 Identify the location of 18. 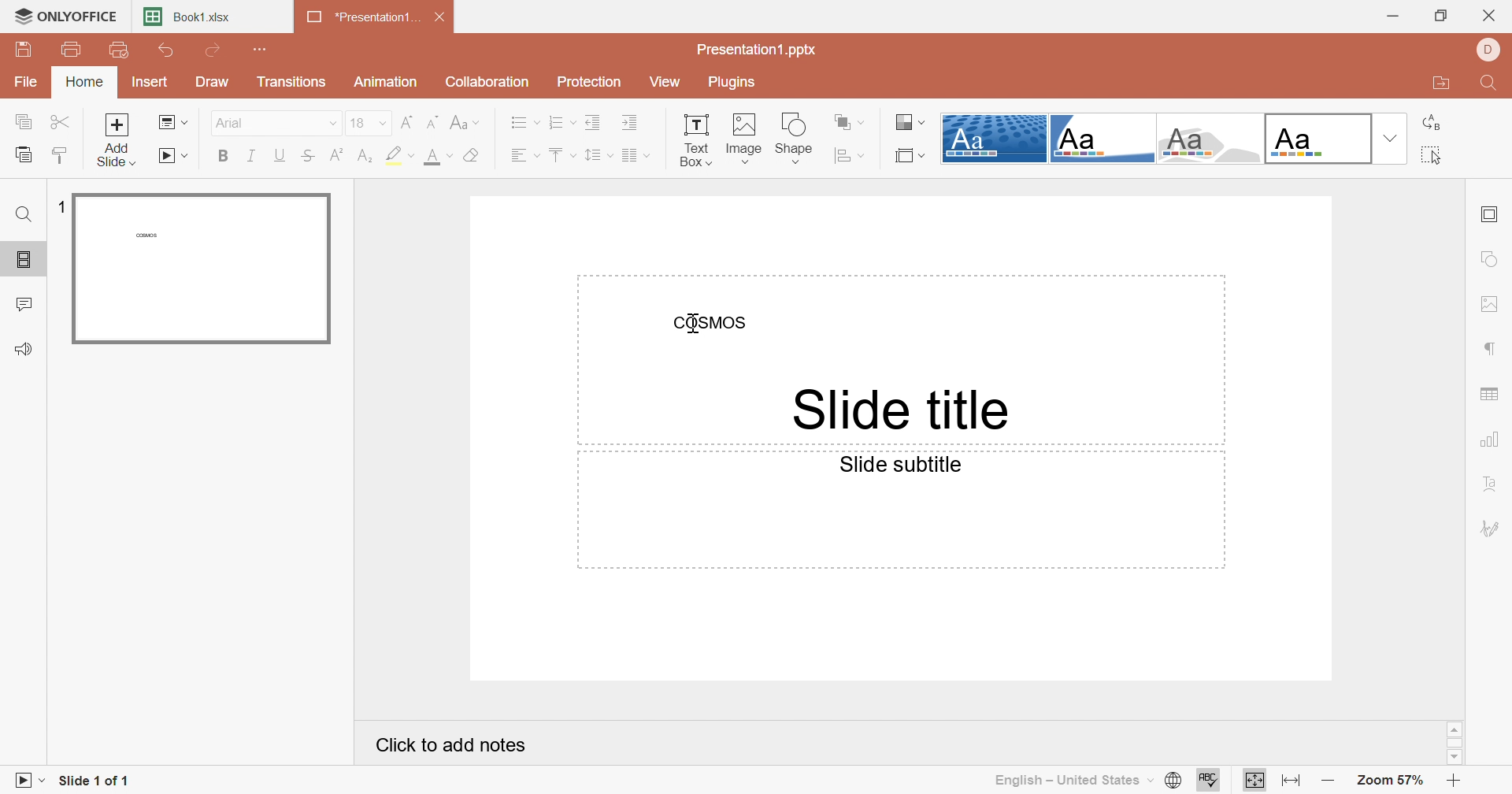
(369, 124).